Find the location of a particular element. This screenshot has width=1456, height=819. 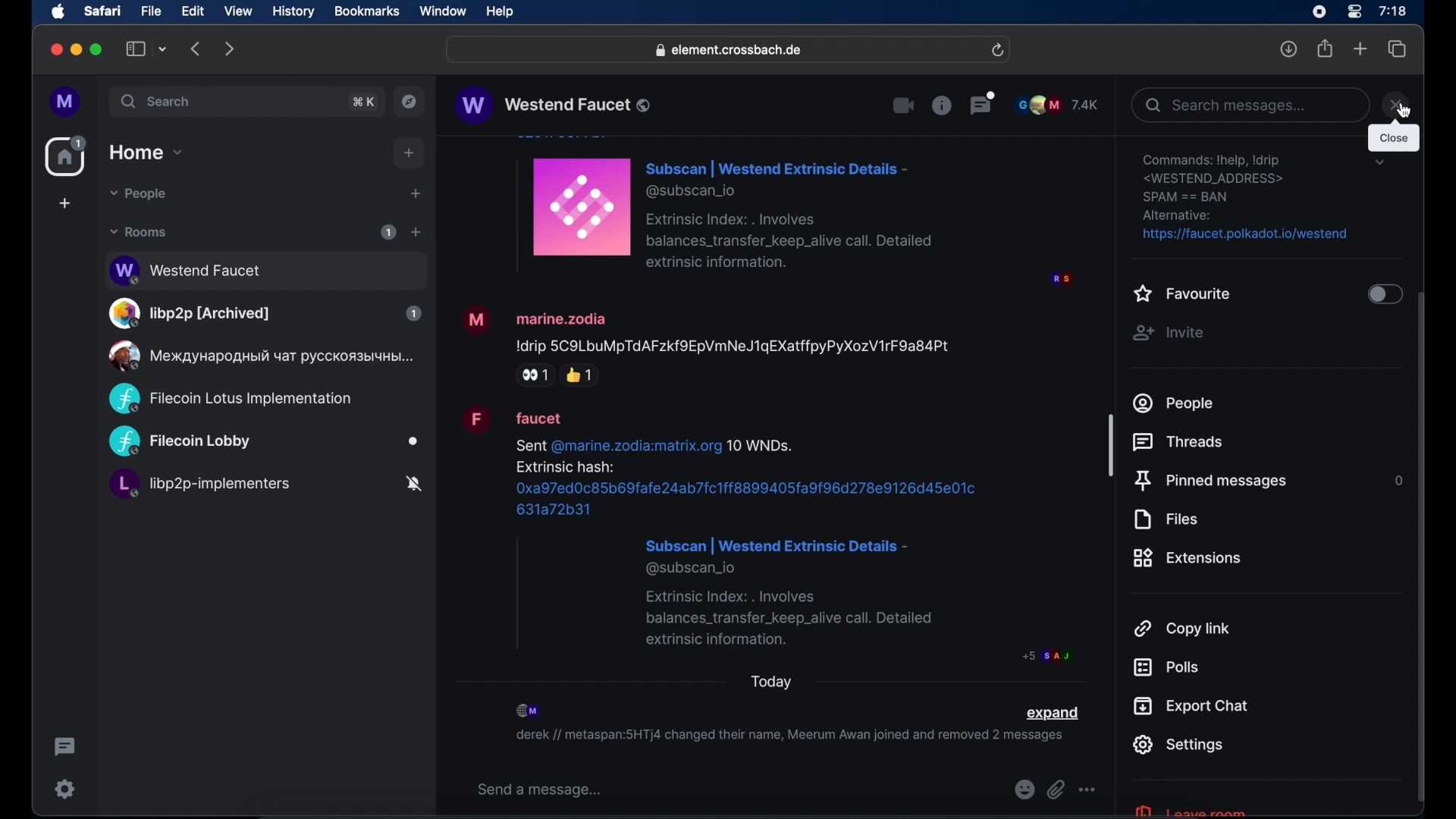

files is located at coordinates (1165, 519).